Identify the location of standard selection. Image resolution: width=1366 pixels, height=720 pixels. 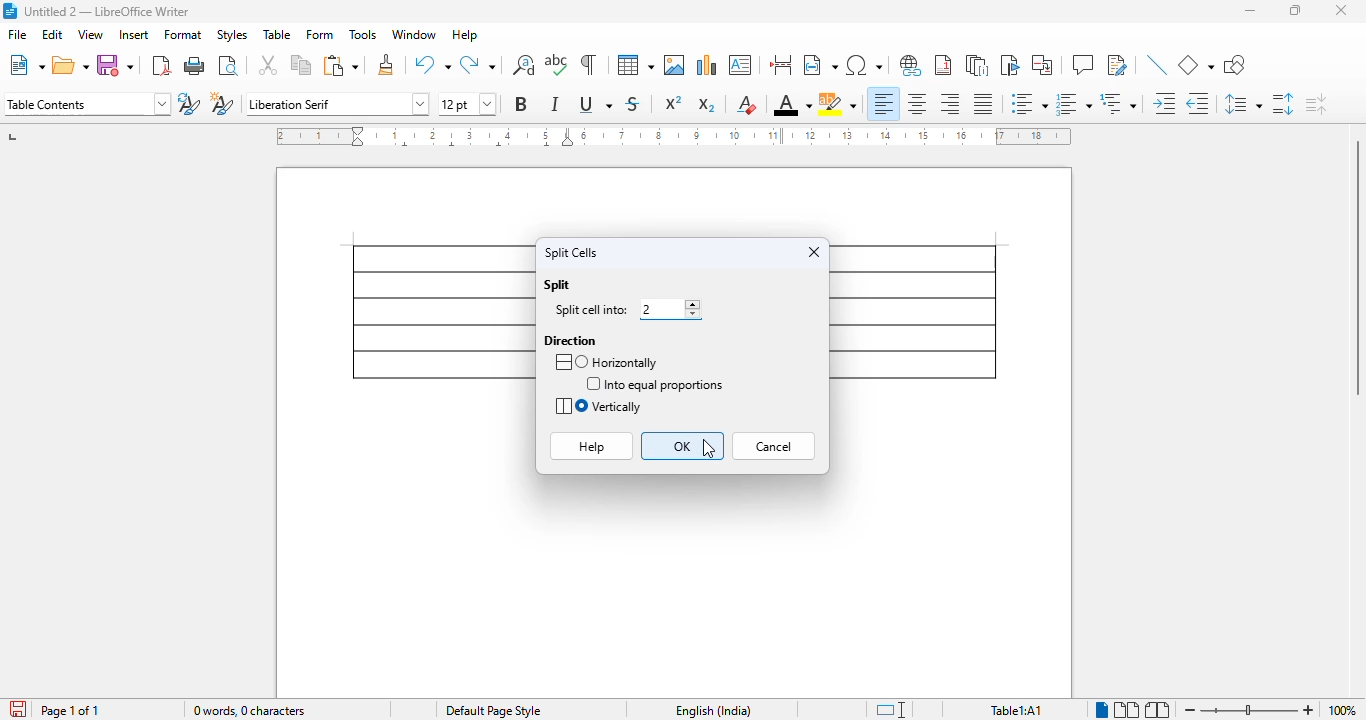
(890, 709).